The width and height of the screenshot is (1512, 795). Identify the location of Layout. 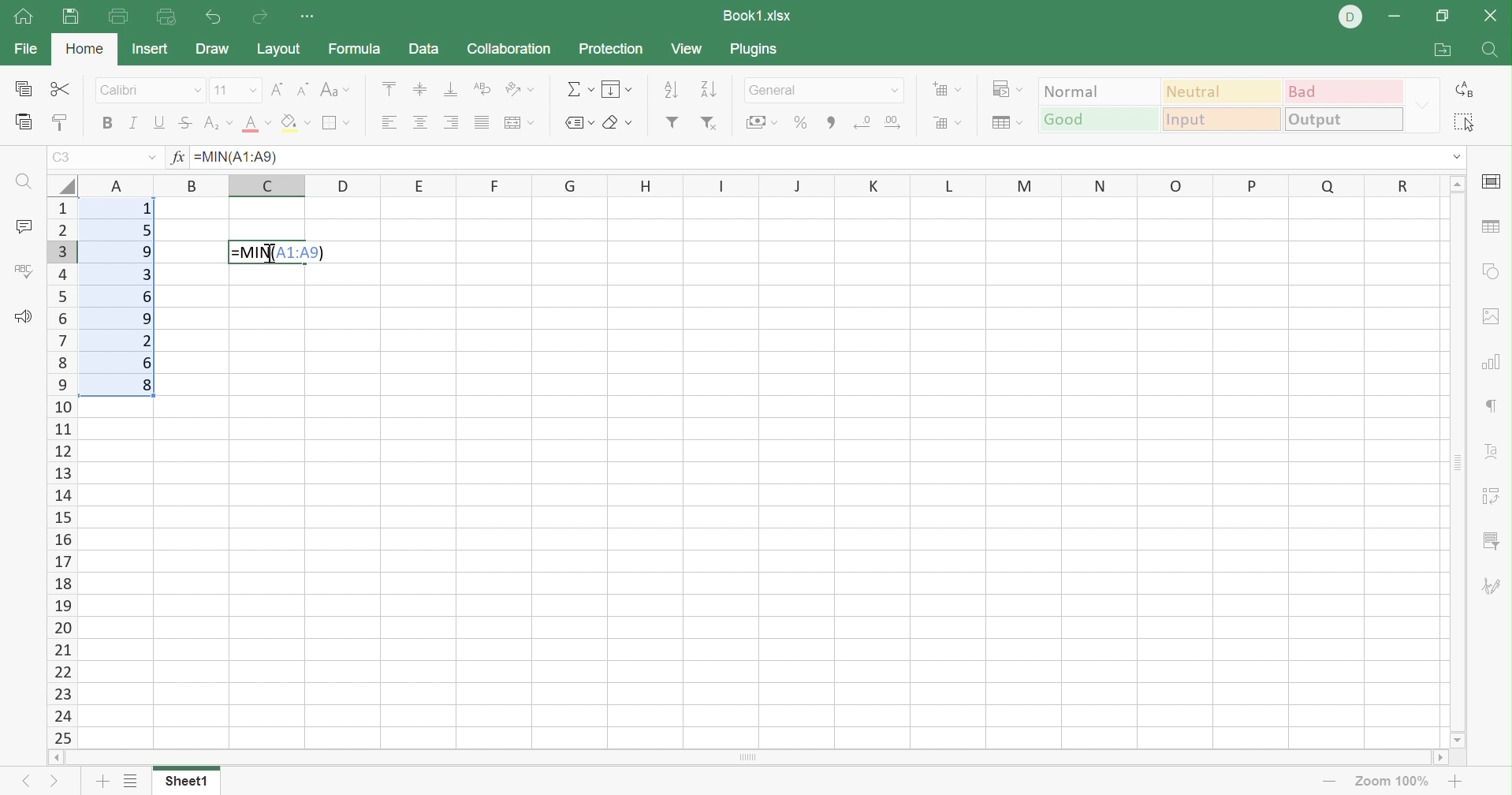
(279, 47).